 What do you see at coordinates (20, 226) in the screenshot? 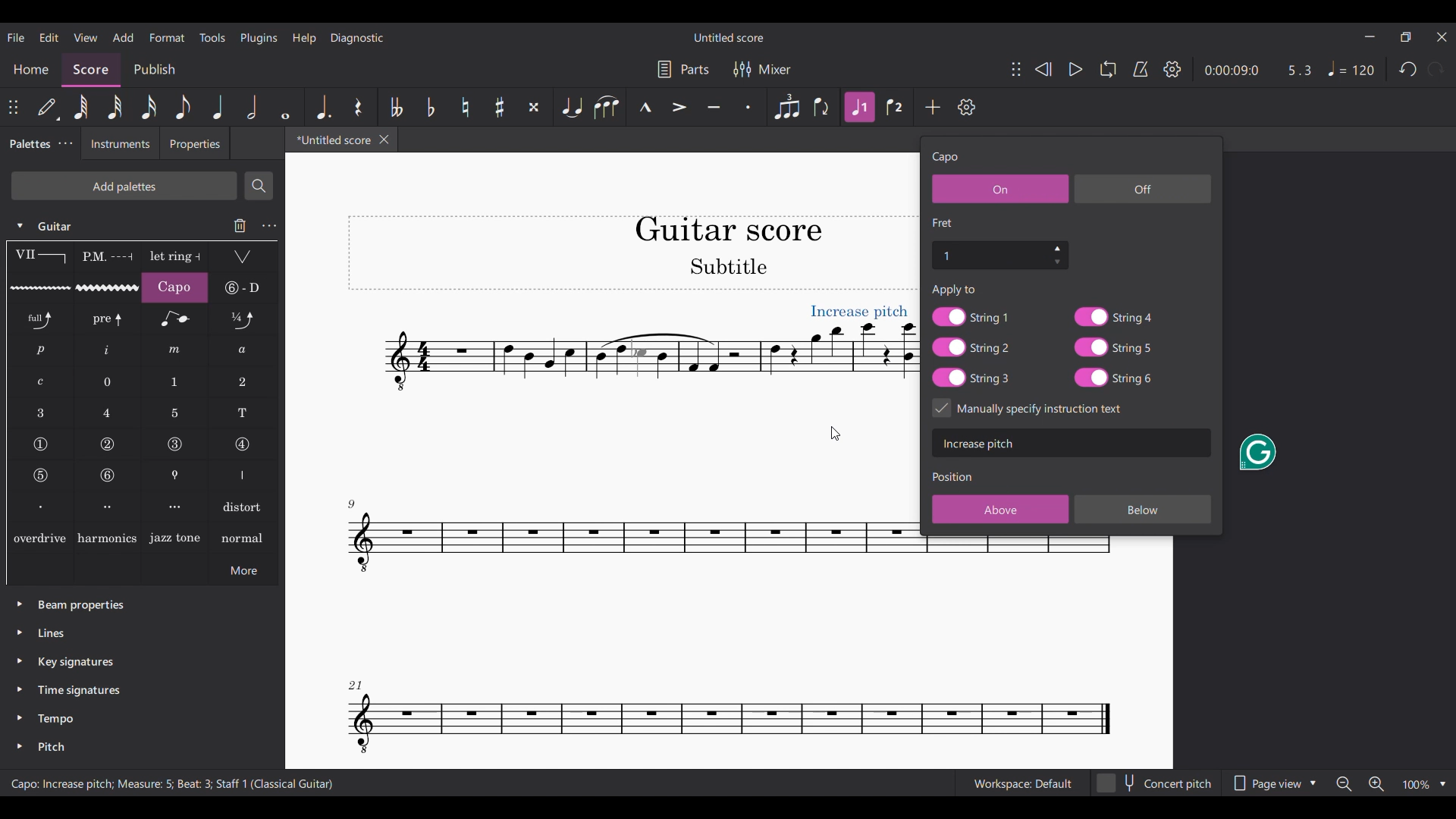
I see `Click to collapse ` at bounding box center [20, 226].